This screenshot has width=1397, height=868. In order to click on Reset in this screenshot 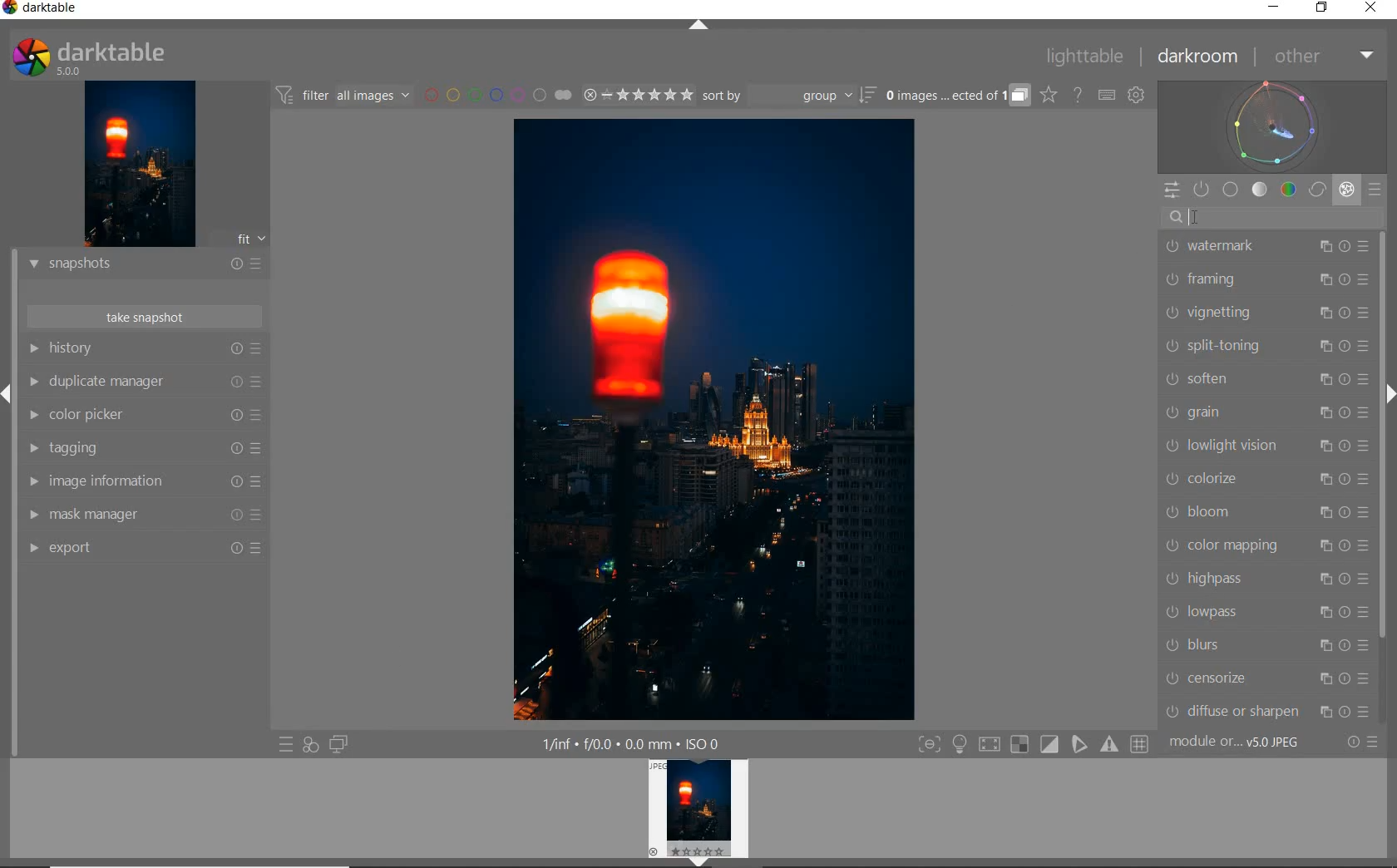, I will do `click(1345, 445)`.